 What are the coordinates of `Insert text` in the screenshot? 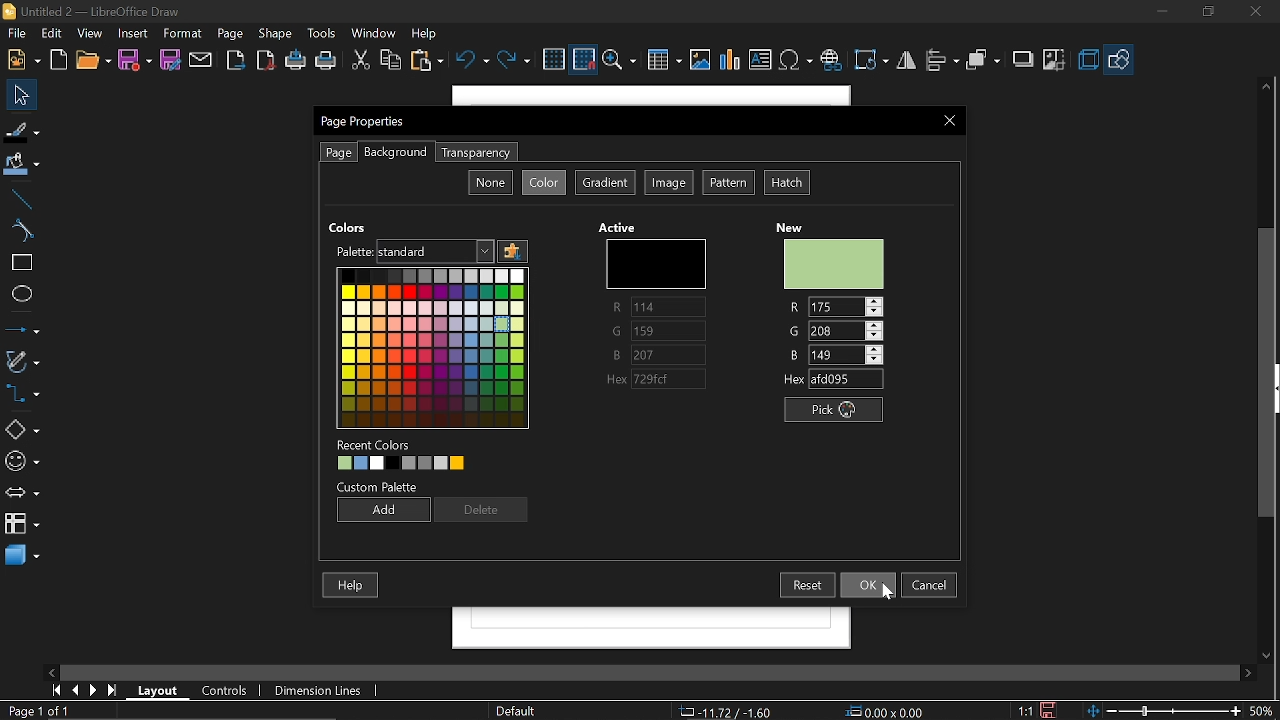 It's located at (760, 60).